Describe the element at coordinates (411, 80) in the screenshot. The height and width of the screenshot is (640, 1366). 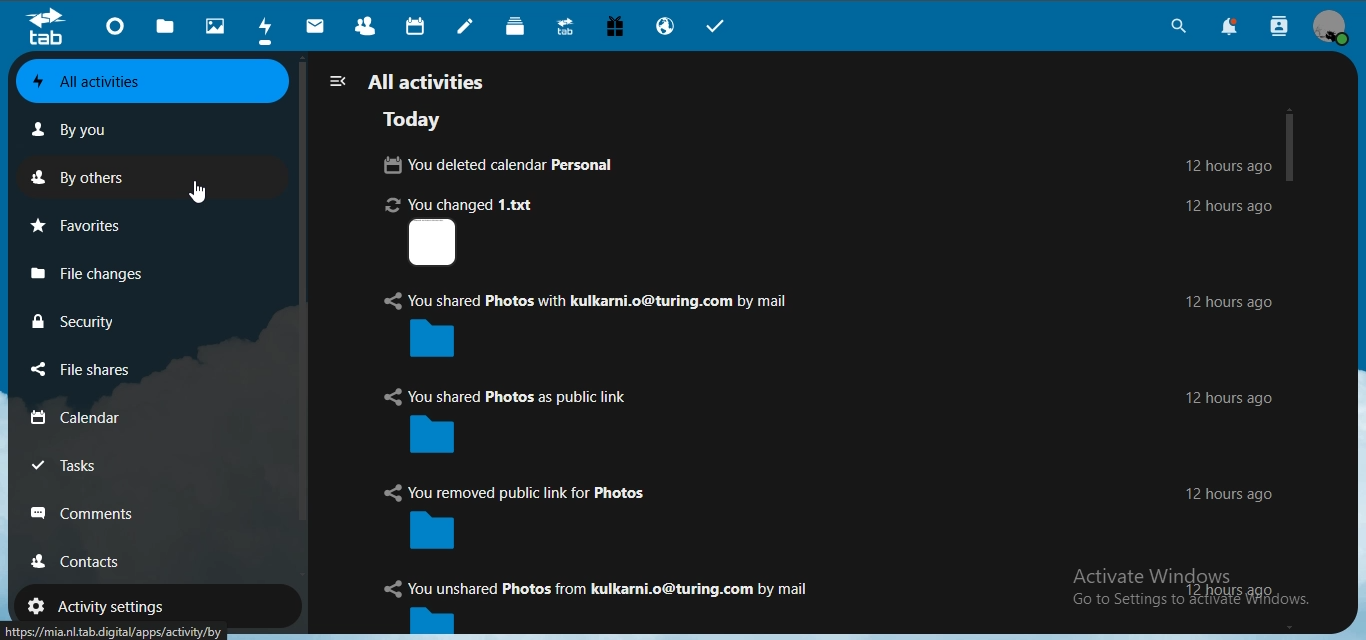
I see `all activities` at that location.